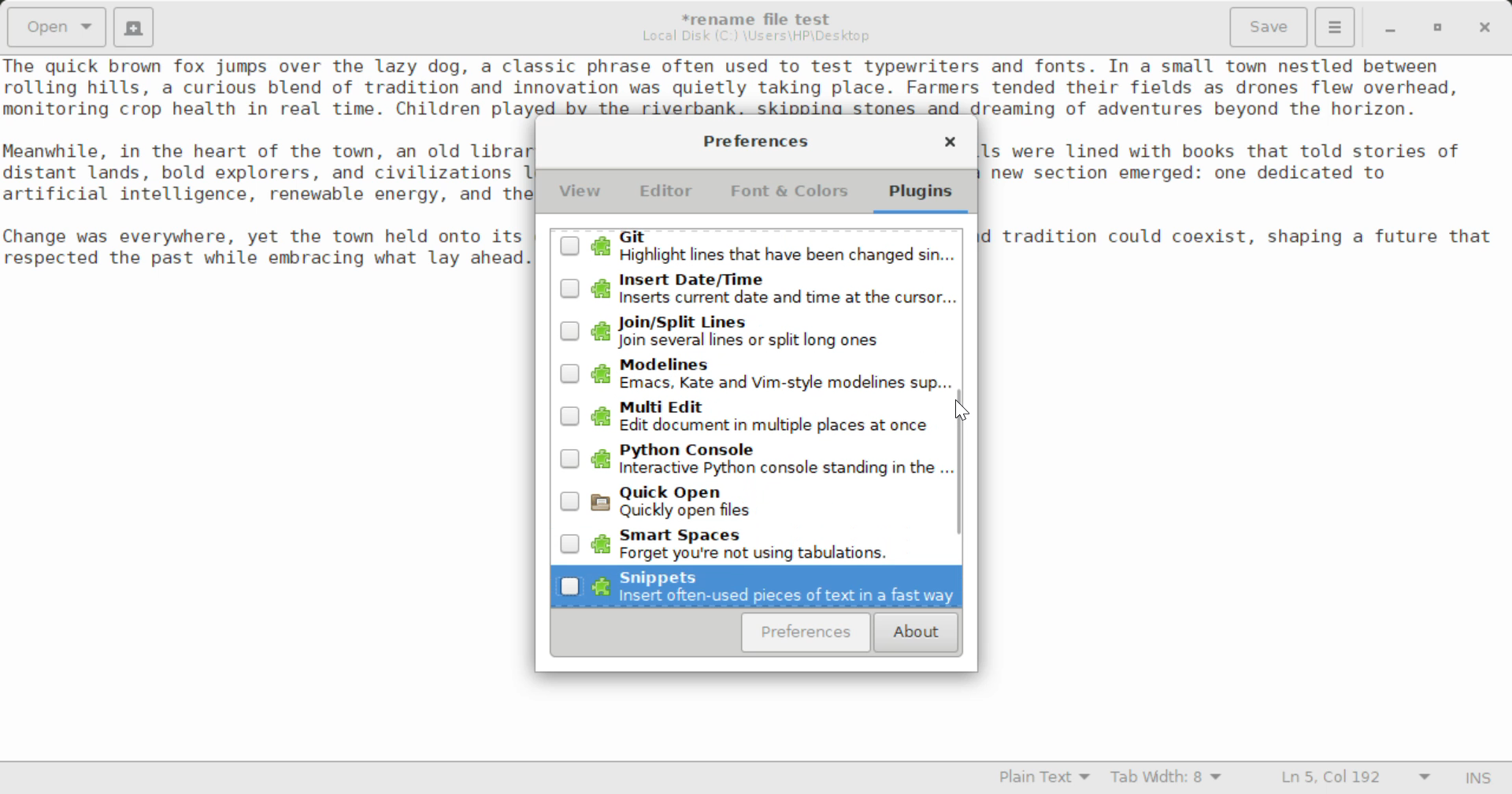 This screenshot has width=1512, height=794. What do you see at coordinates (913, 633) in the screenshot?
I see `About` at bounding box center [913, 633].